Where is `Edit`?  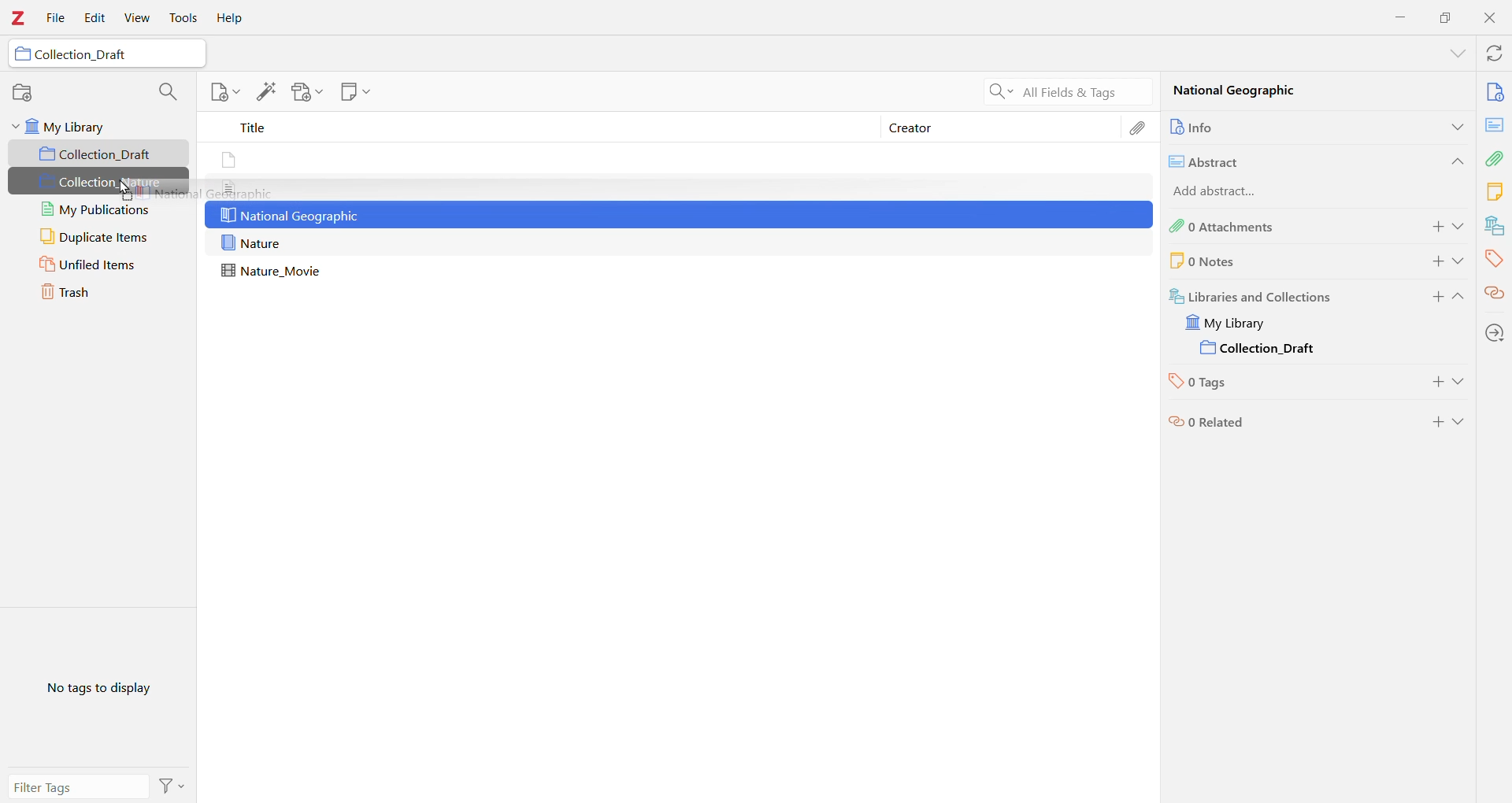
Edit is located at coordinates (94, 18).